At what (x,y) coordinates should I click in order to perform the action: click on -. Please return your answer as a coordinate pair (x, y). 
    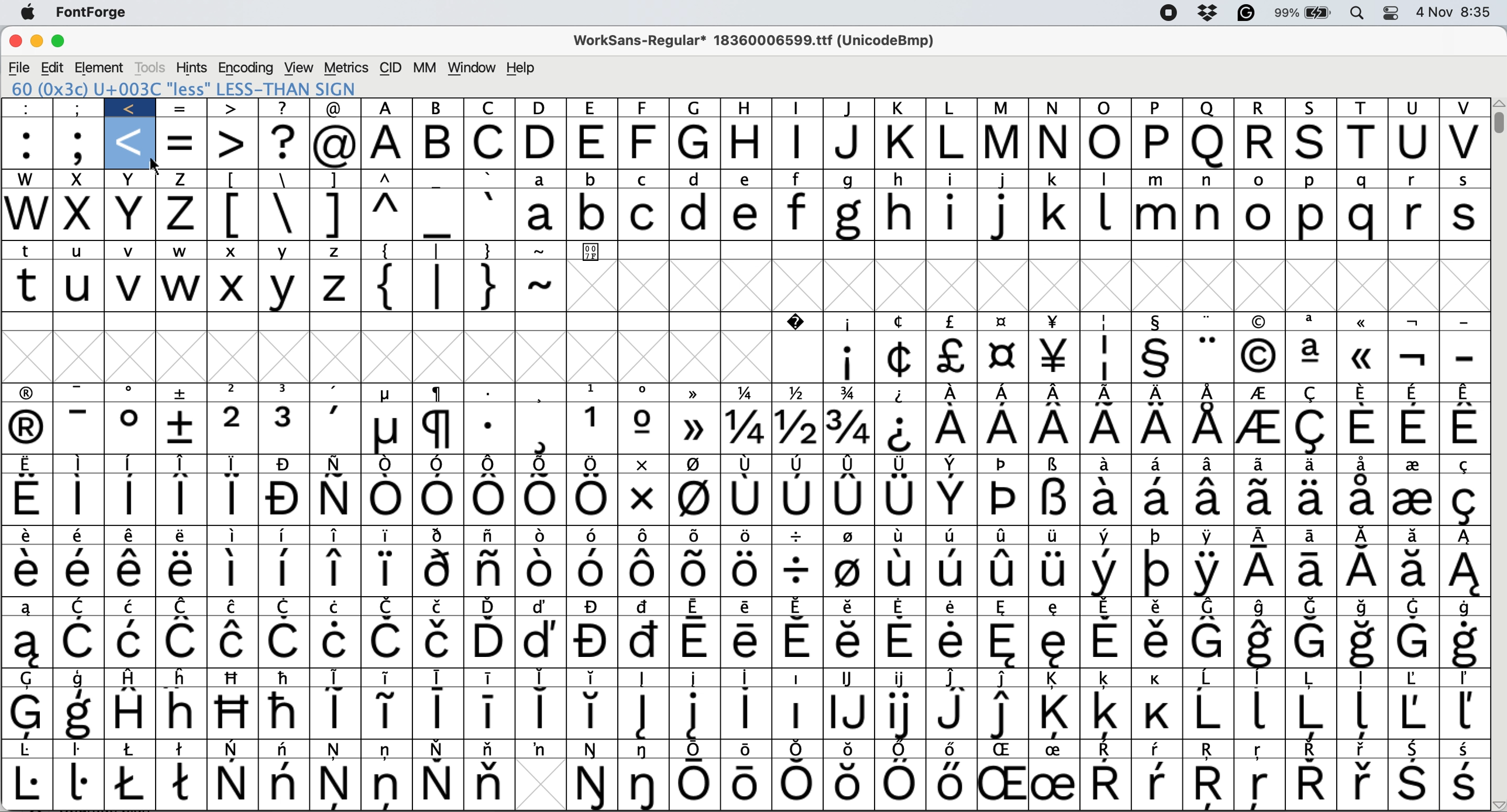
    Looking at the image, I should click on (83, 428).